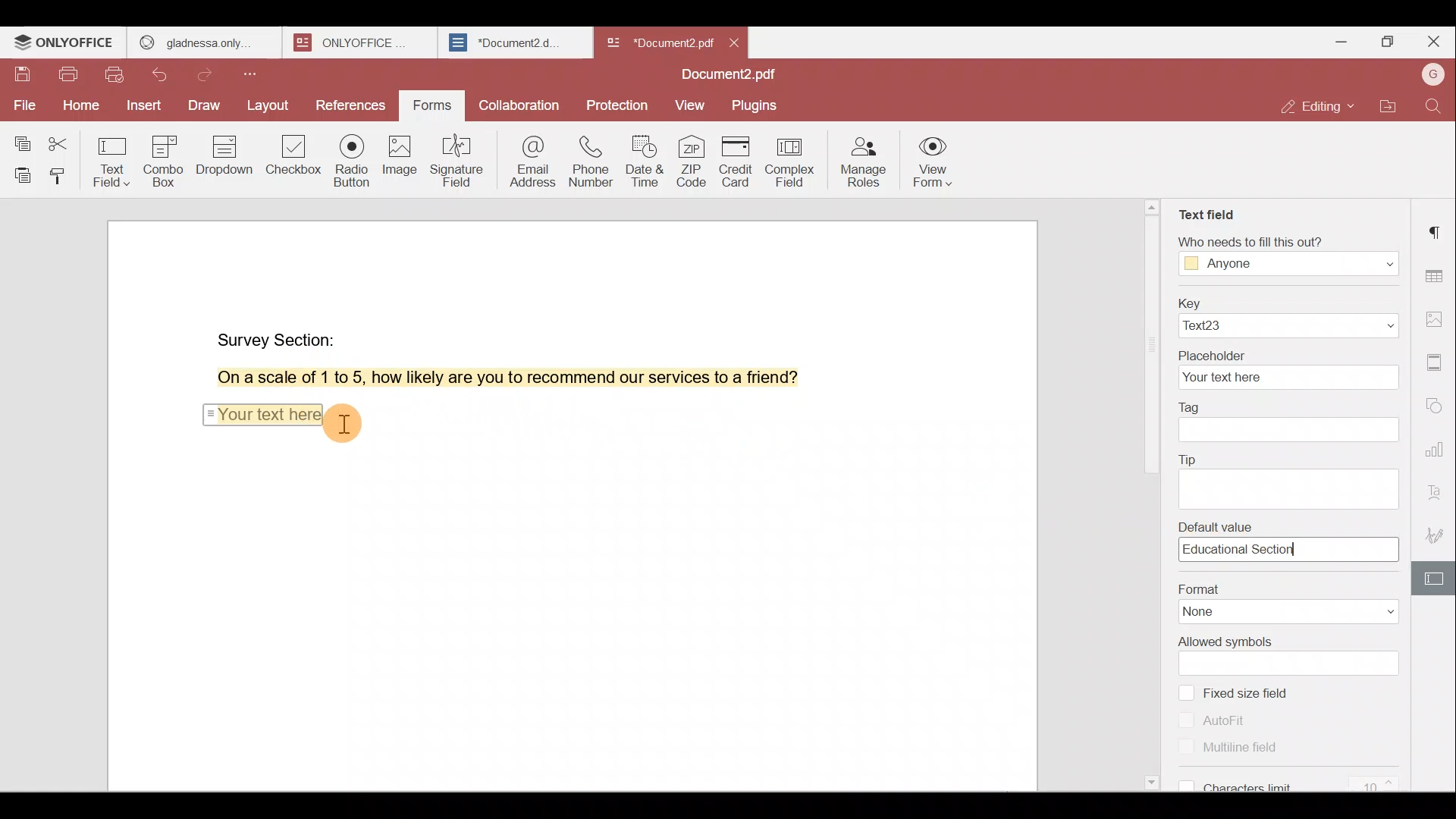 The image size is (1456, 819). I want to click on Document2.d, so click(514, 43).